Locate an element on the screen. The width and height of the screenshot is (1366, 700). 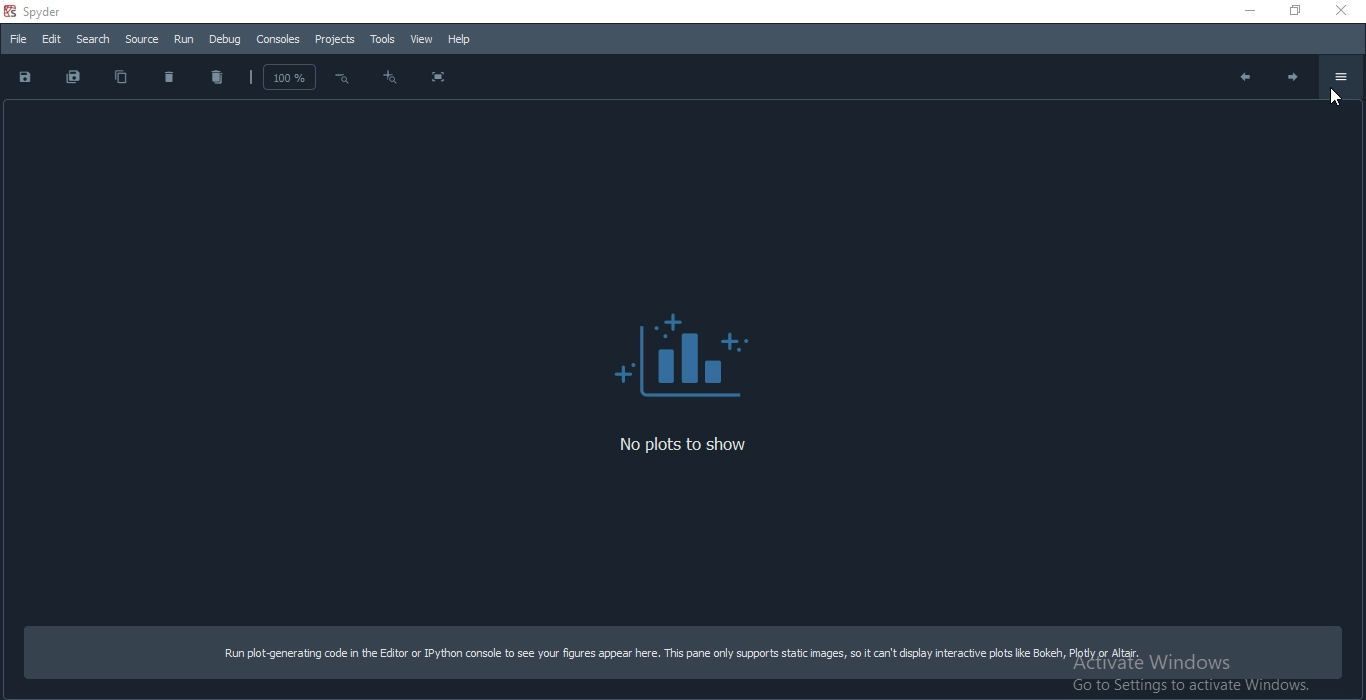
Consoles is located at coordinates (278, 40).